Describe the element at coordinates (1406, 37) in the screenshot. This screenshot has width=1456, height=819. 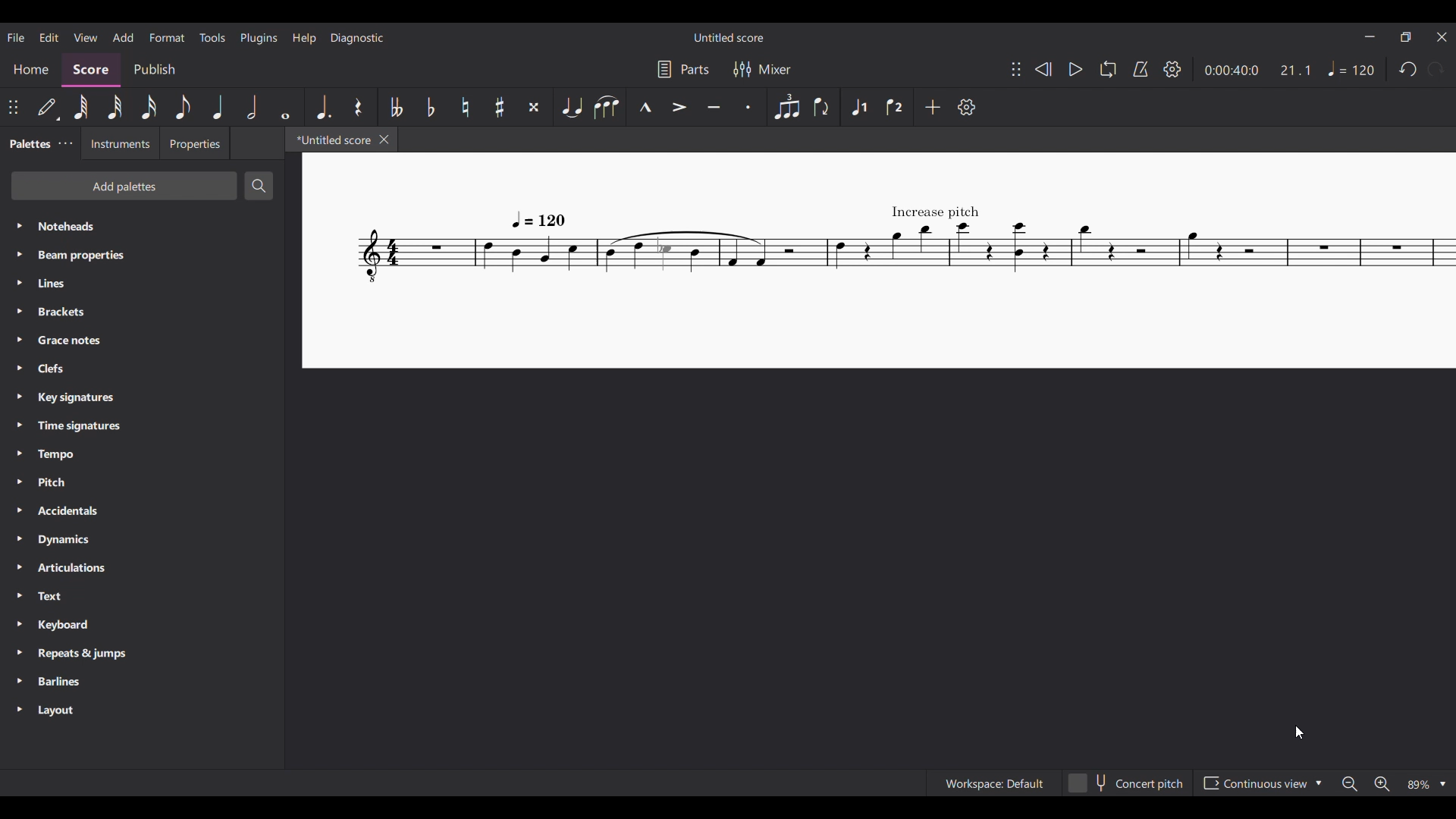
I see `Show in smaller tab` at that location.